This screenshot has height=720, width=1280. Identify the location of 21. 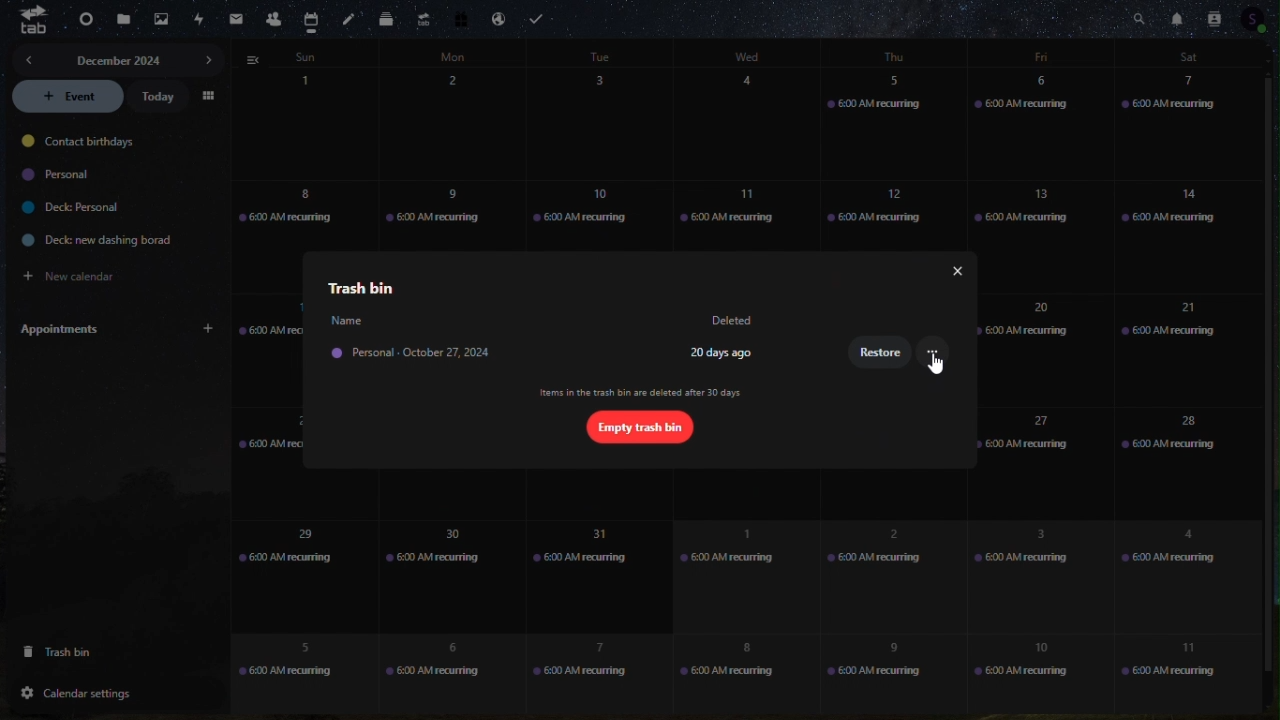
(1174, 346).